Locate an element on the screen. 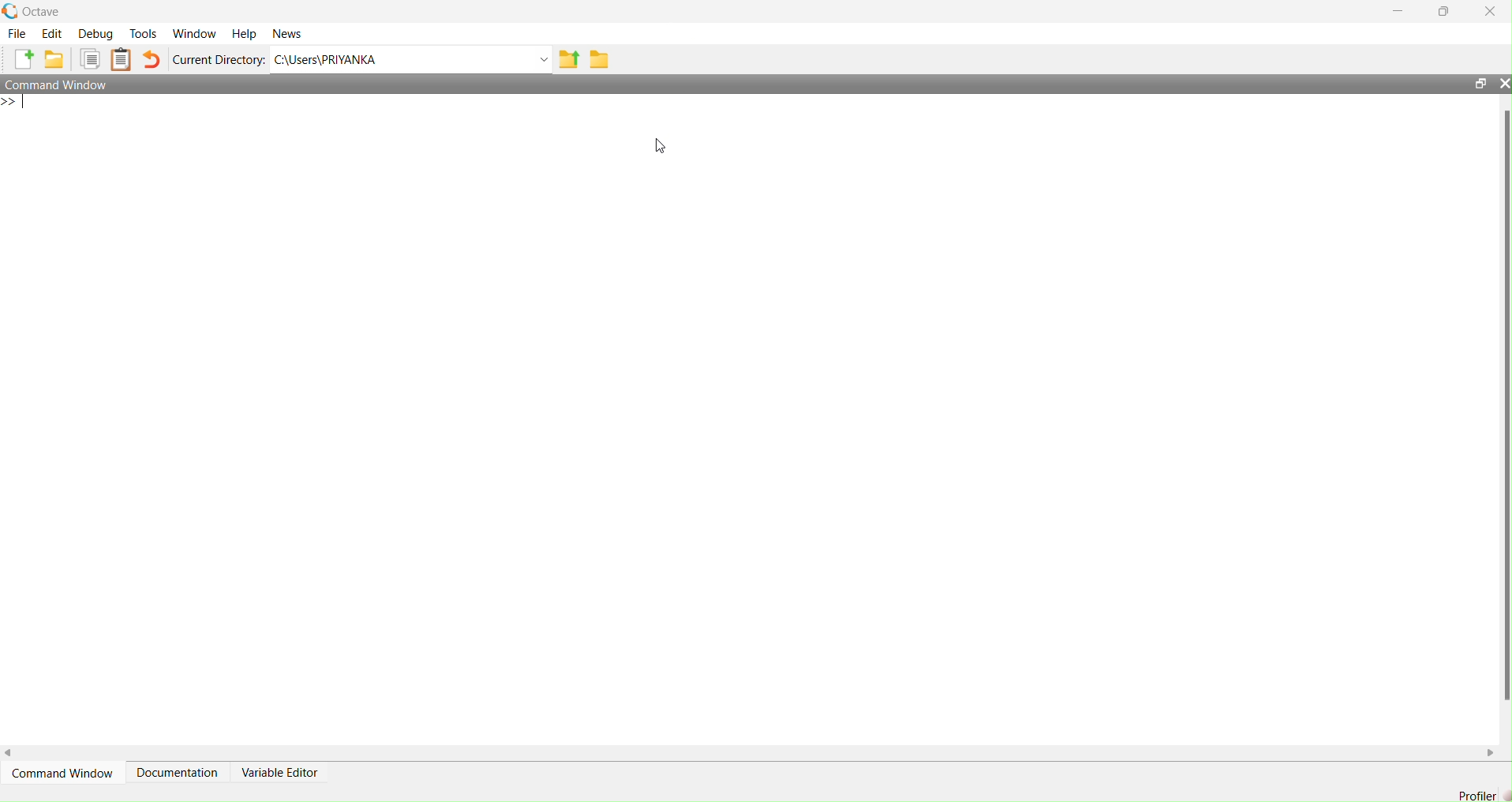 The width and height of the screenshot is (1512, 802). Debug is located at coordinates (95, 32).